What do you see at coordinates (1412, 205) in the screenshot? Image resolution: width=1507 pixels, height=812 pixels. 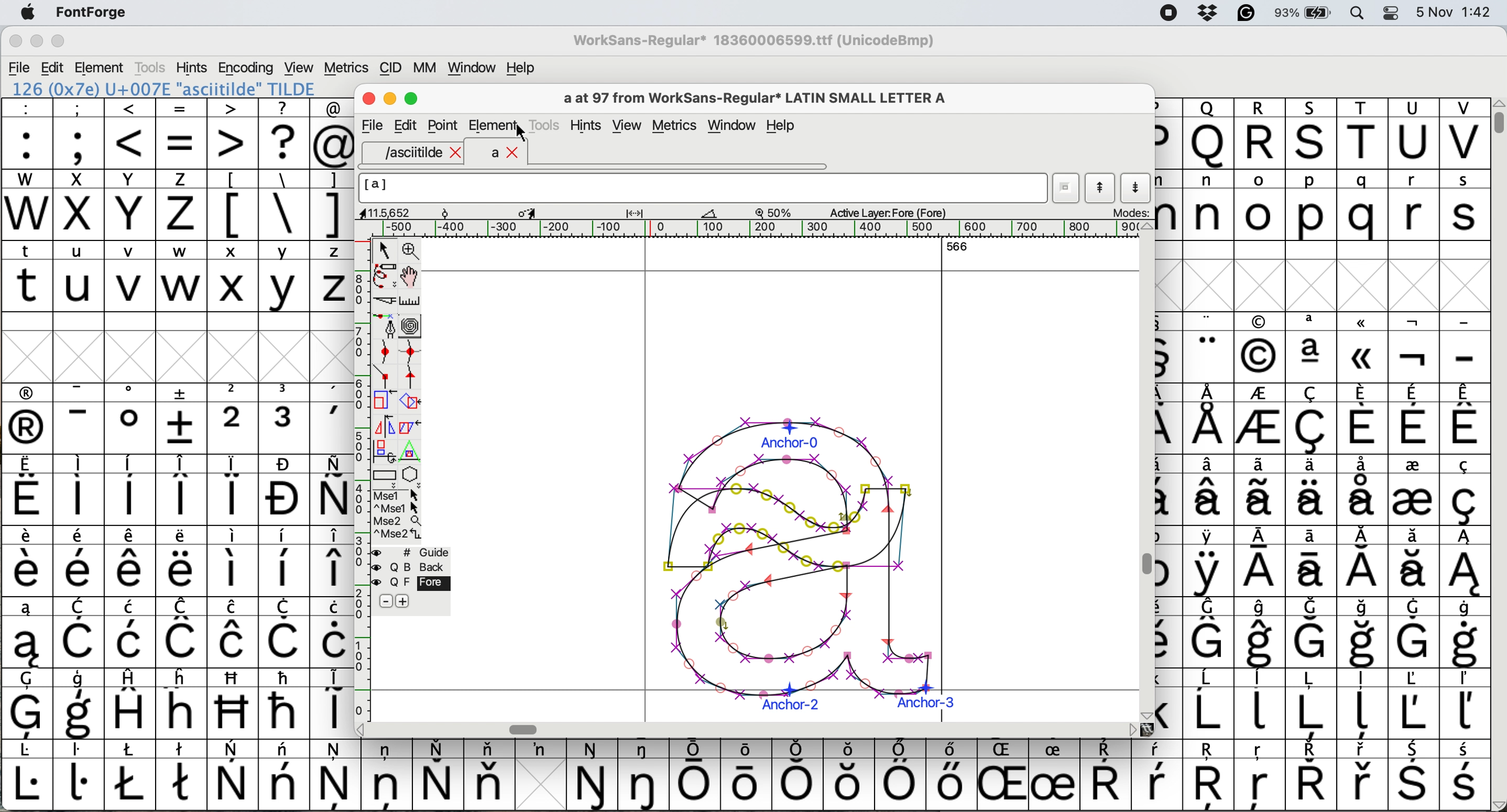 I see `r` at bounding box center [1412, 205].